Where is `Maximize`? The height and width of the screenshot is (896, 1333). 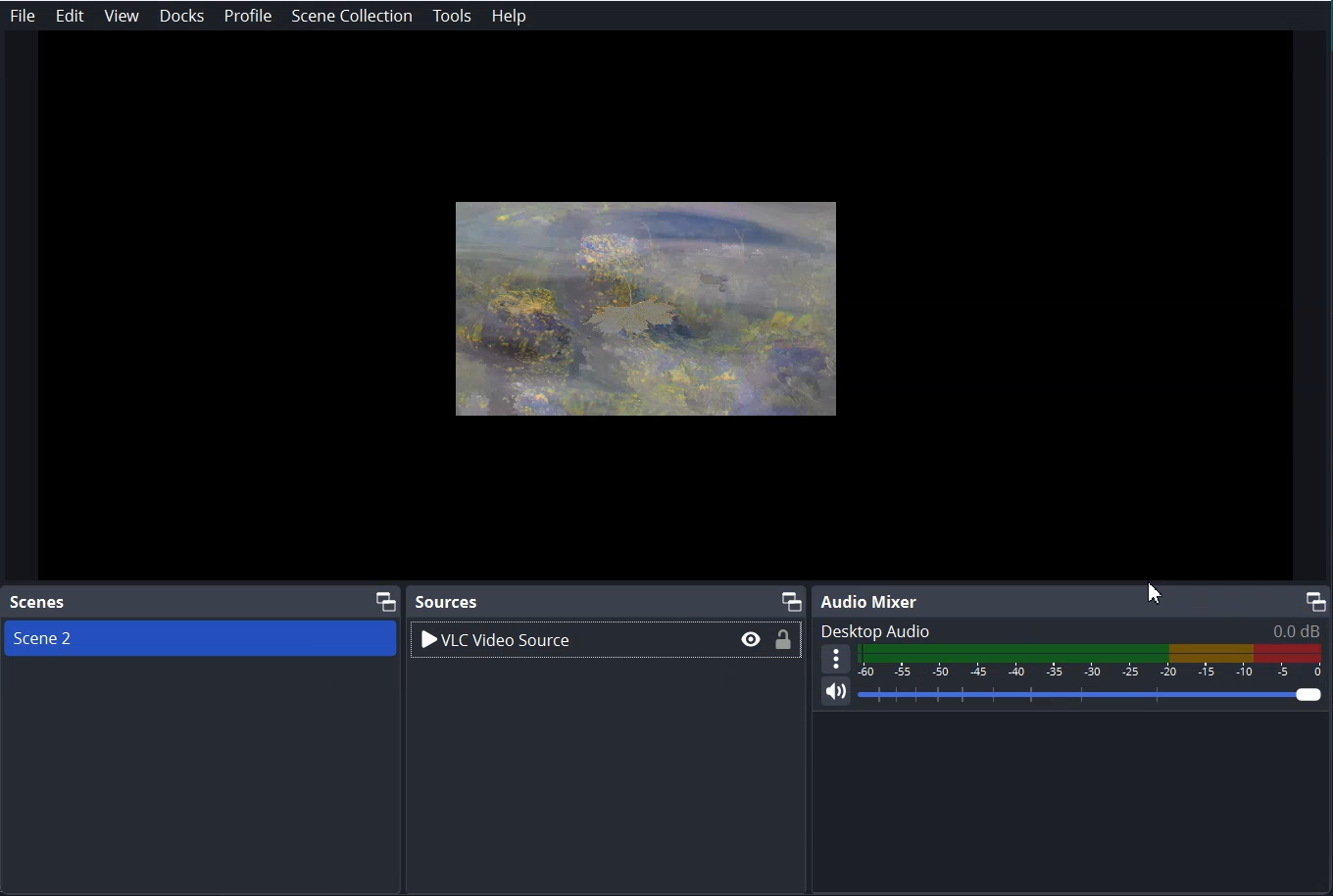
Maximize is located at coordinates (791, 598).